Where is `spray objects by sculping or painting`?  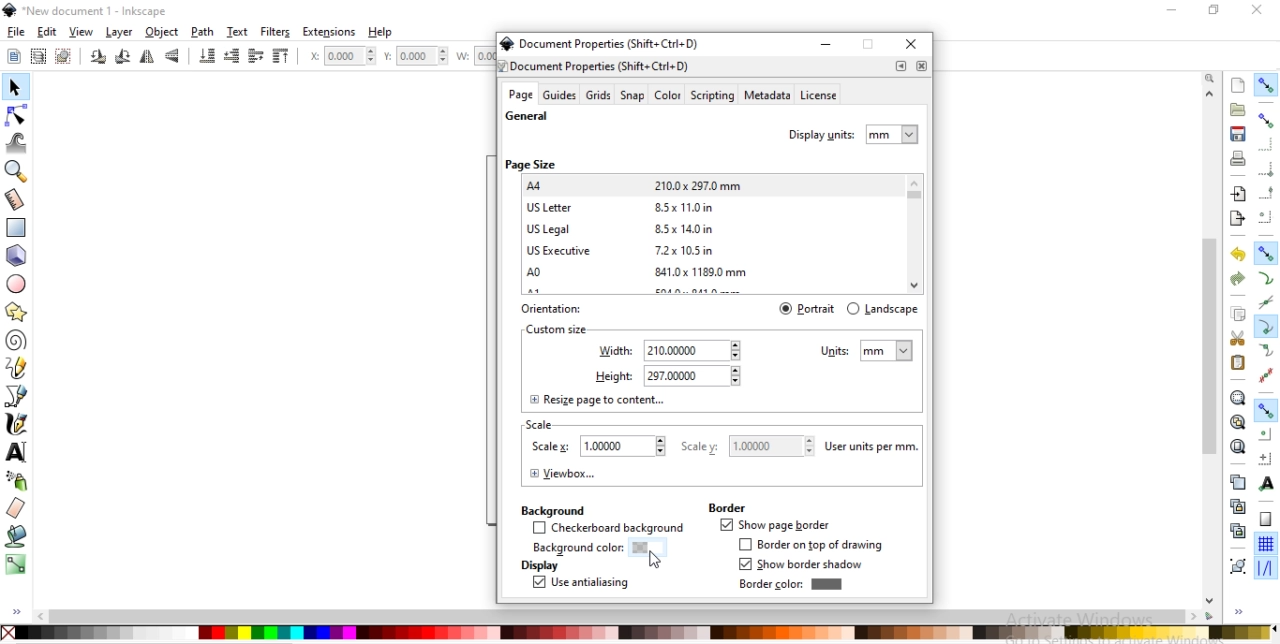
spray objects by sculping or painting is located at coordinates (21, 480).